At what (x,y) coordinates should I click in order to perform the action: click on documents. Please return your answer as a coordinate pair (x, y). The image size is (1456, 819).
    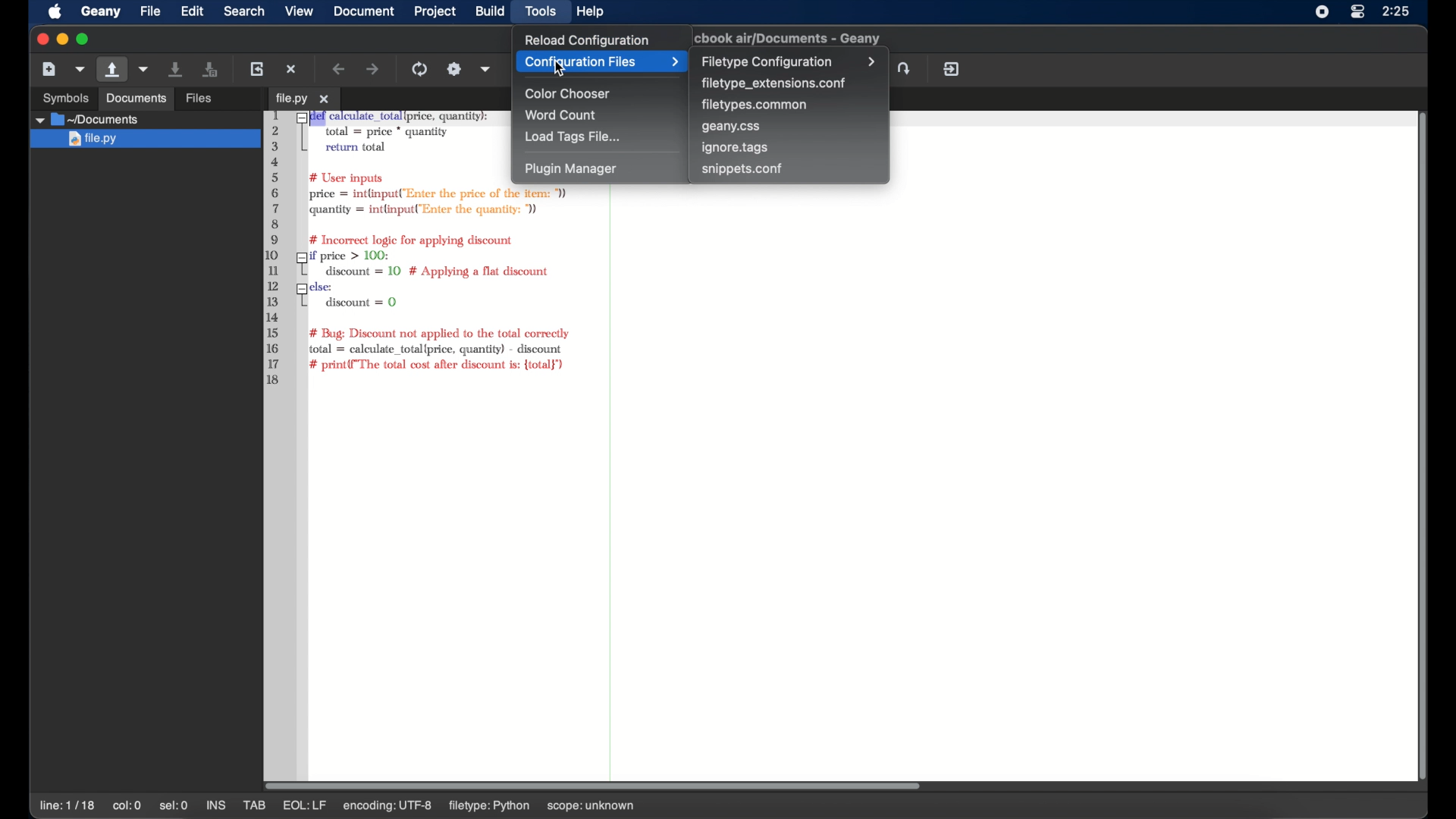
    Looking at the image, I should click on (87, 119).